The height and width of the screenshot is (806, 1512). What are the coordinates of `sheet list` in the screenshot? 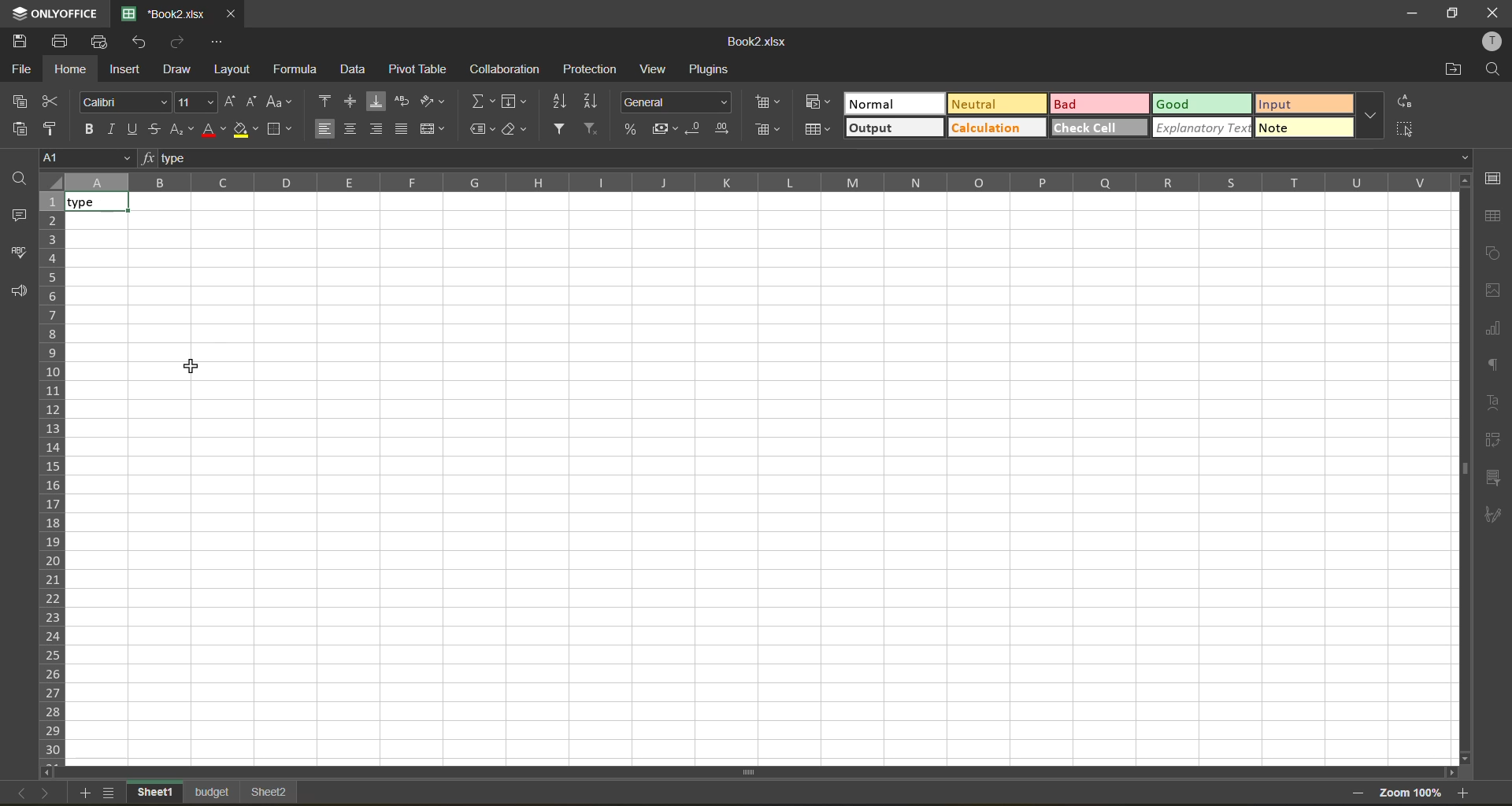 It's located at (108, 794).